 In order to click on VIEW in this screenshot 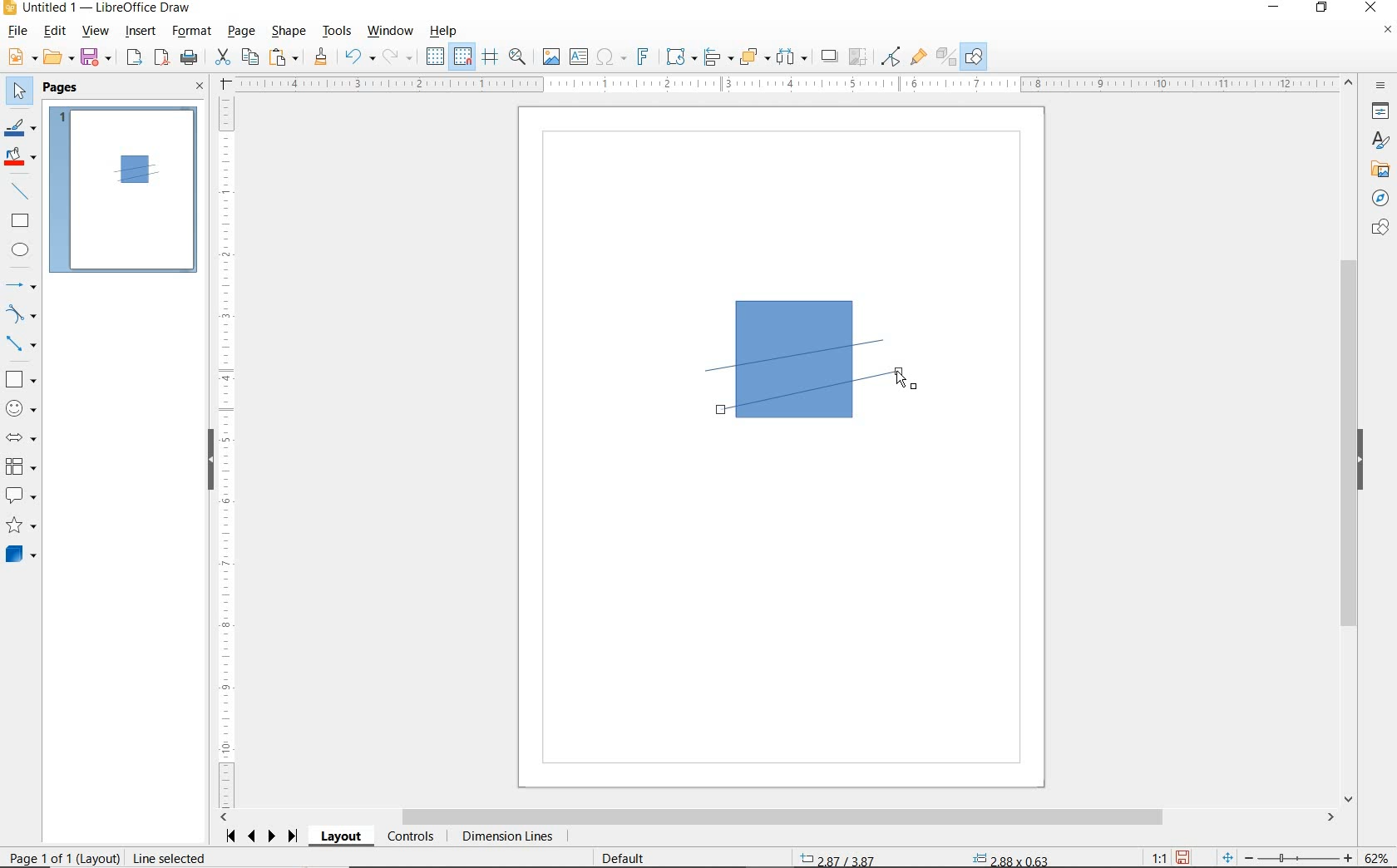, I will do `click(95, 31)`.